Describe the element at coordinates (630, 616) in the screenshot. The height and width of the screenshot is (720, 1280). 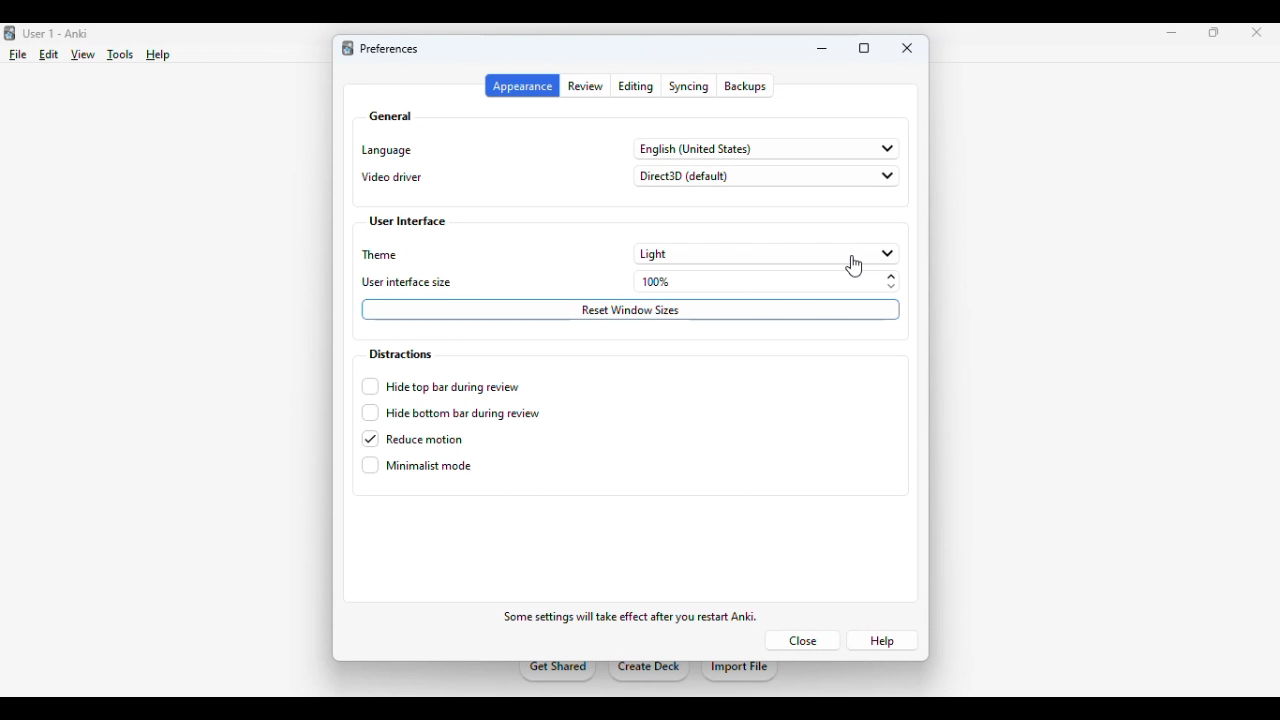
I see `some settings will take effect after you restart anki.` at that location.